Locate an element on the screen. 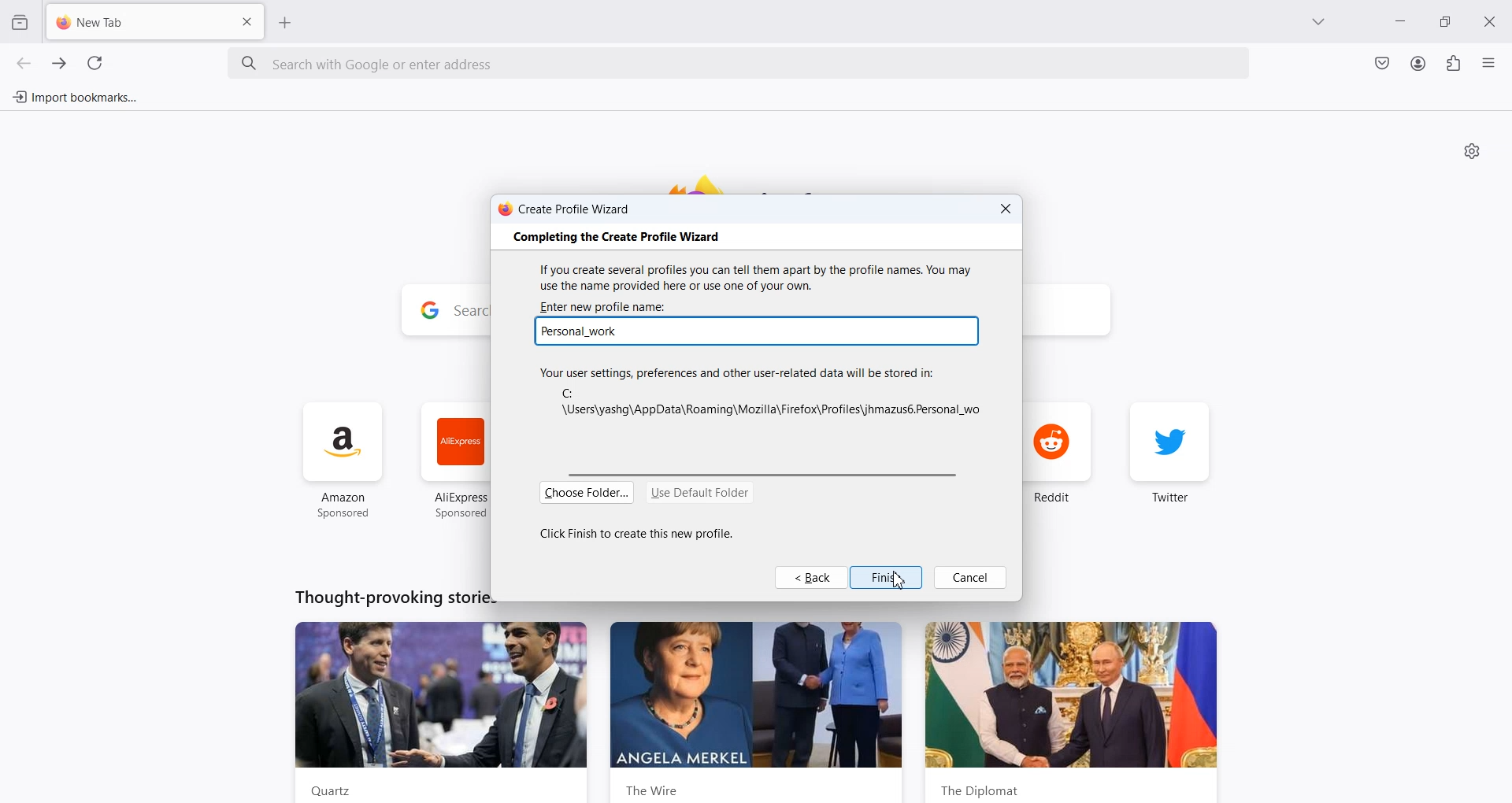 This screenshot has width=1512, height=803. Horizontal scroll bar is located at coordinates (755, 476).